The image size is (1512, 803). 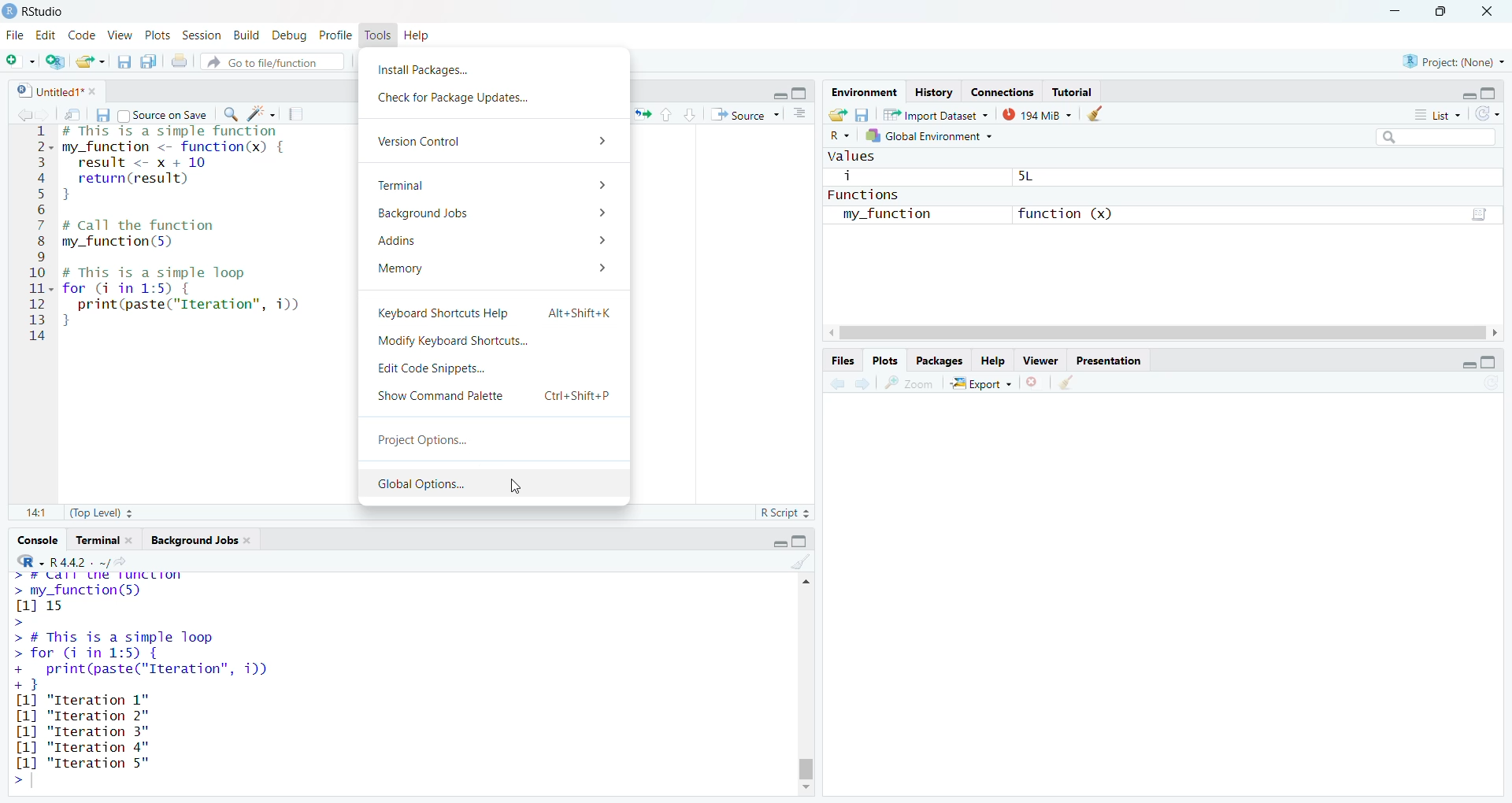 I want to click on prompt cursor, so click(x=16, y=781).